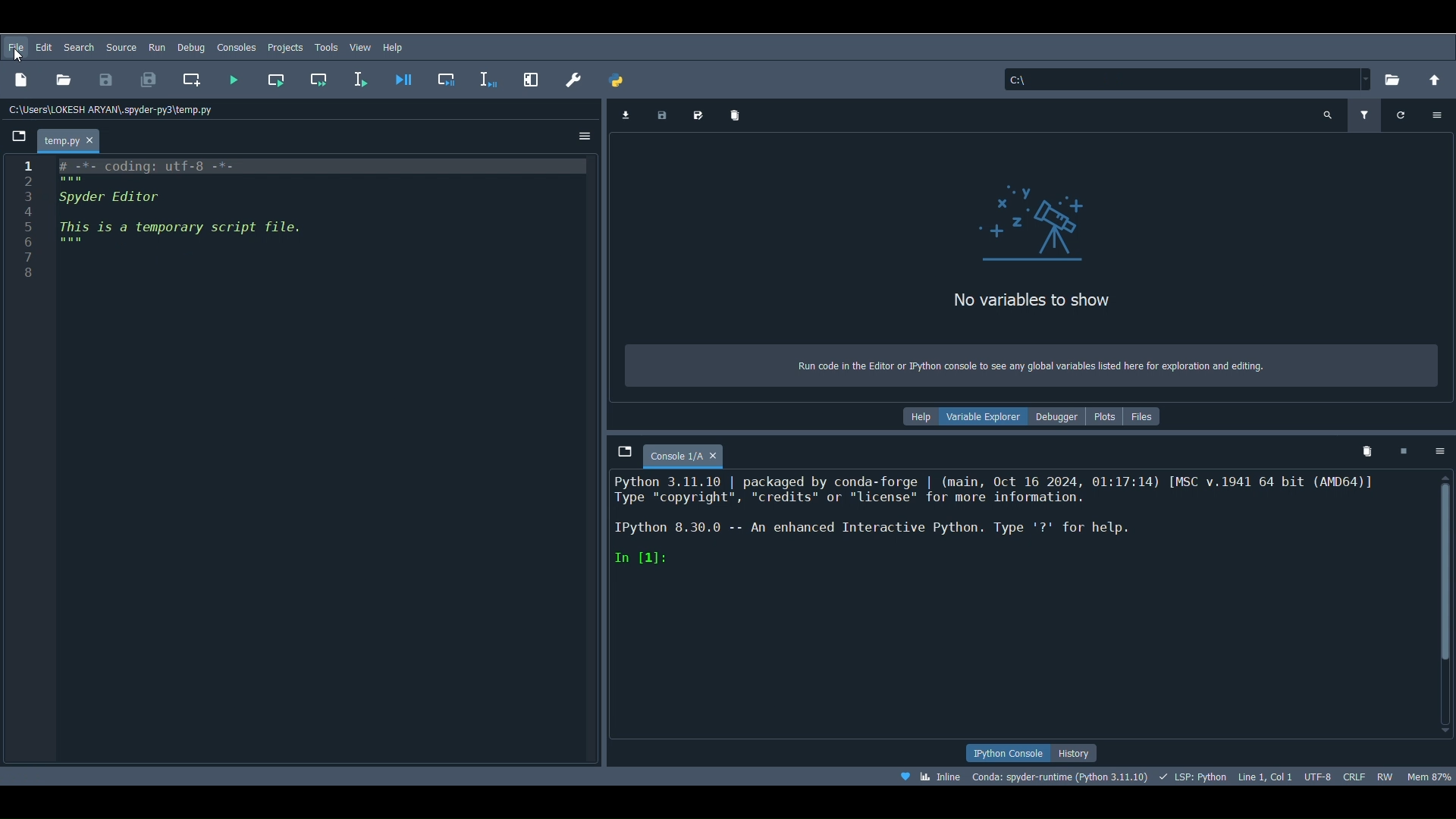  What do you see at coordinates (1366, 111) in the screenshot?
I see `Filter variables` at bounding box center [1366, 111].